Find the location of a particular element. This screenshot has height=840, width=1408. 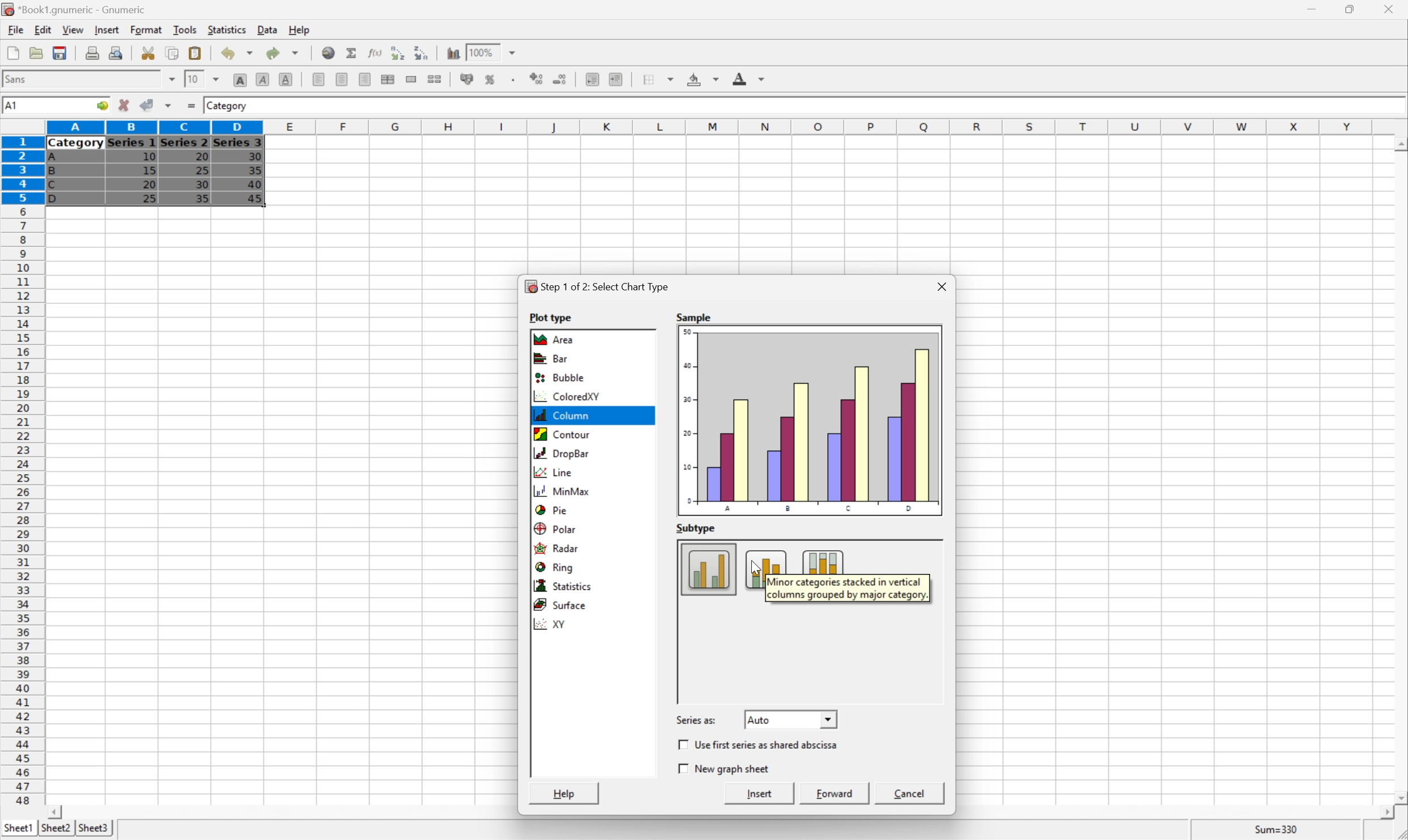

Bubble is located at coordinates (558, 379).